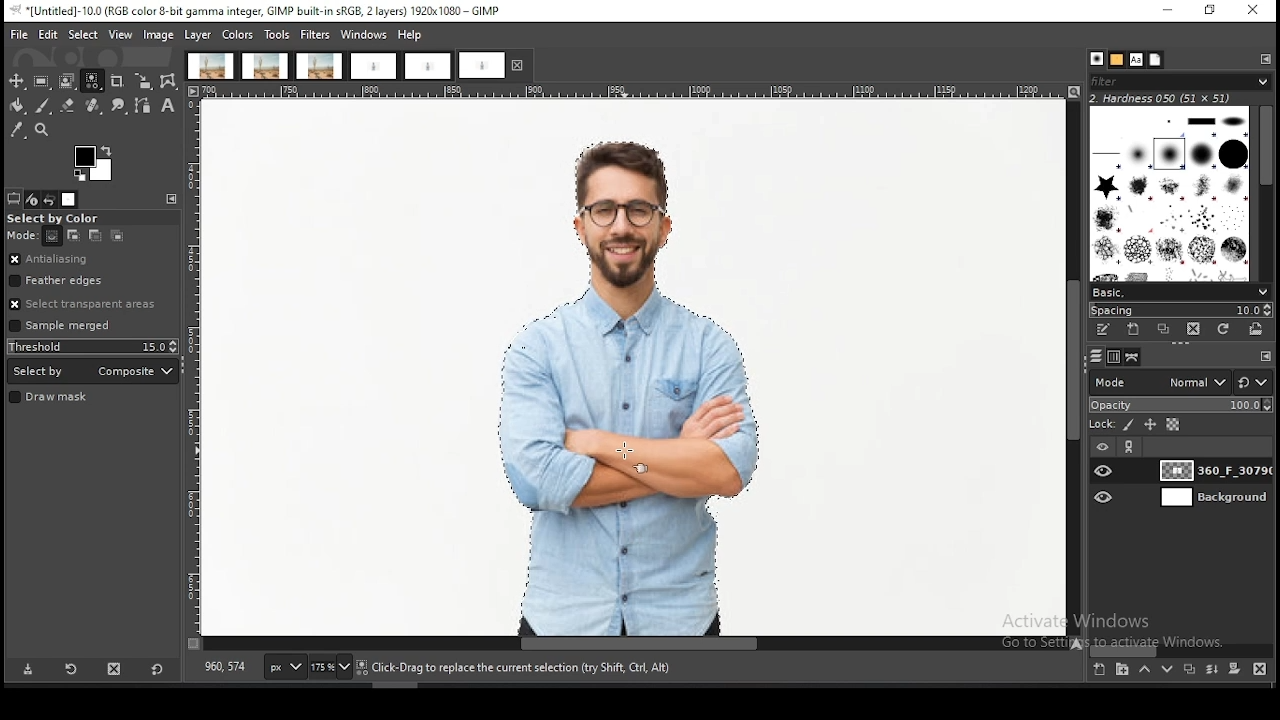  What do you see at coordinates (92, 260) in the screenshot?
I see `antiliasing` at bounding box center [92, 260].